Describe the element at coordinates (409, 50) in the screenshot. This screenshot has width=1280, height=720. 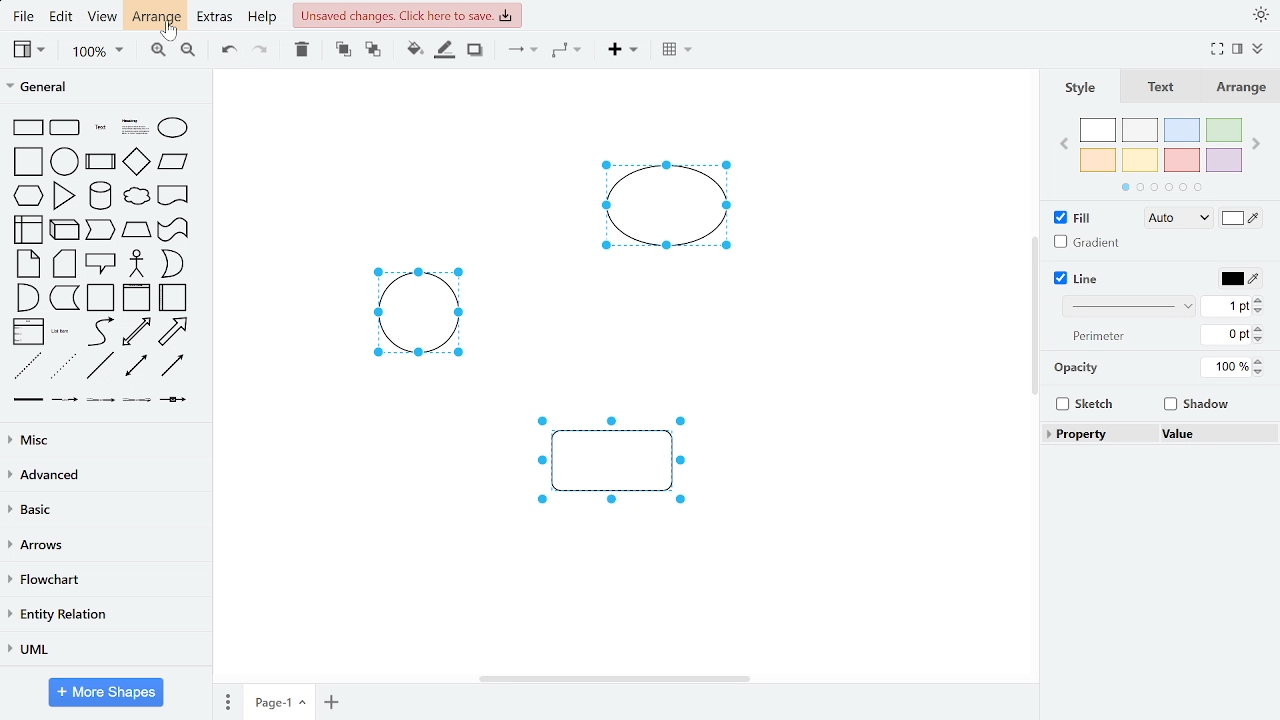
I see `fill color` at that location.